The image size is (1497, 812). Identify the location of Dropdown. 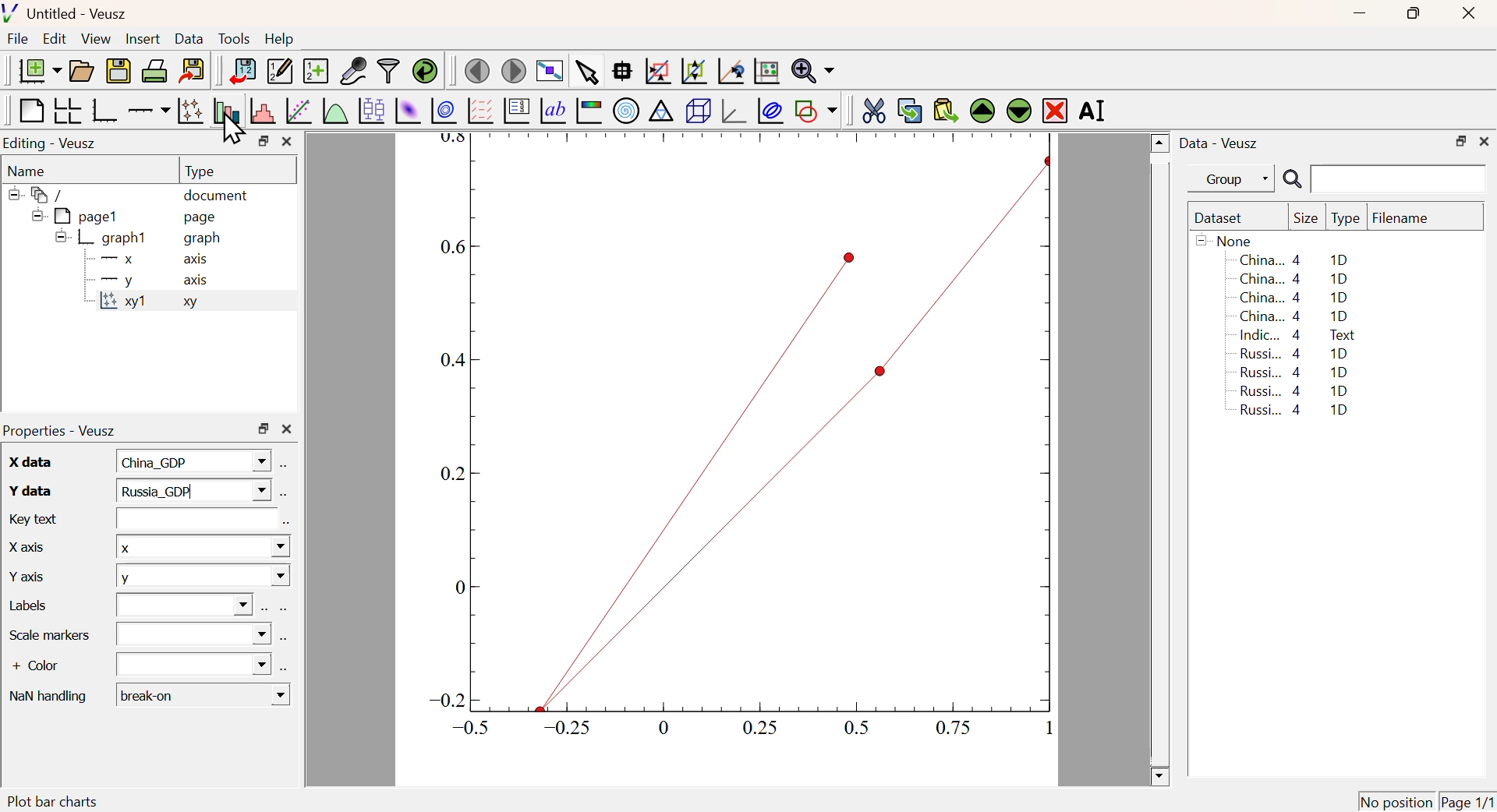
(195, 634).